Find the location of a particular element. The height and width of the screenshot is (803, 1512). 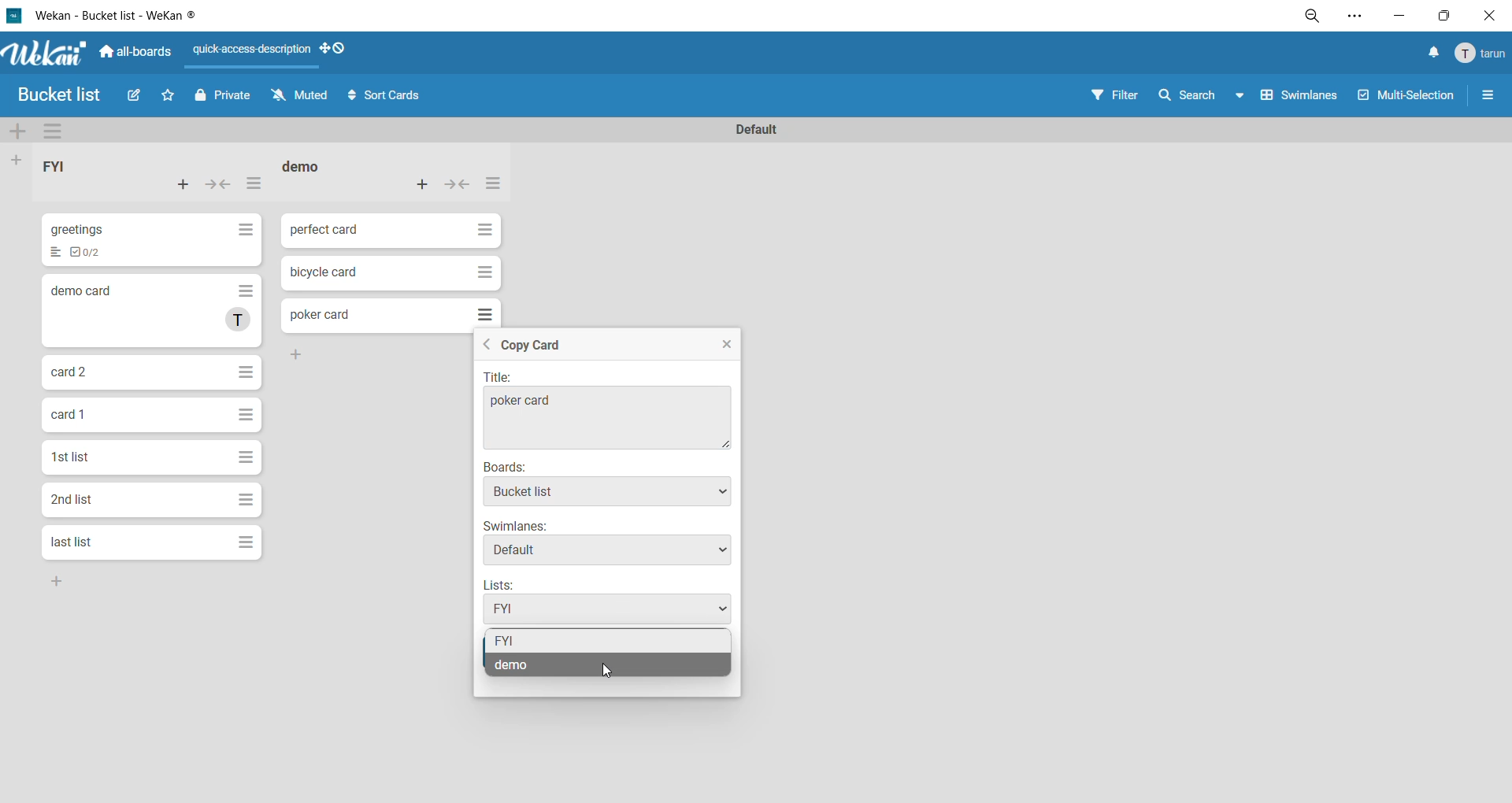

filter is located at coordinates (1119, 94).